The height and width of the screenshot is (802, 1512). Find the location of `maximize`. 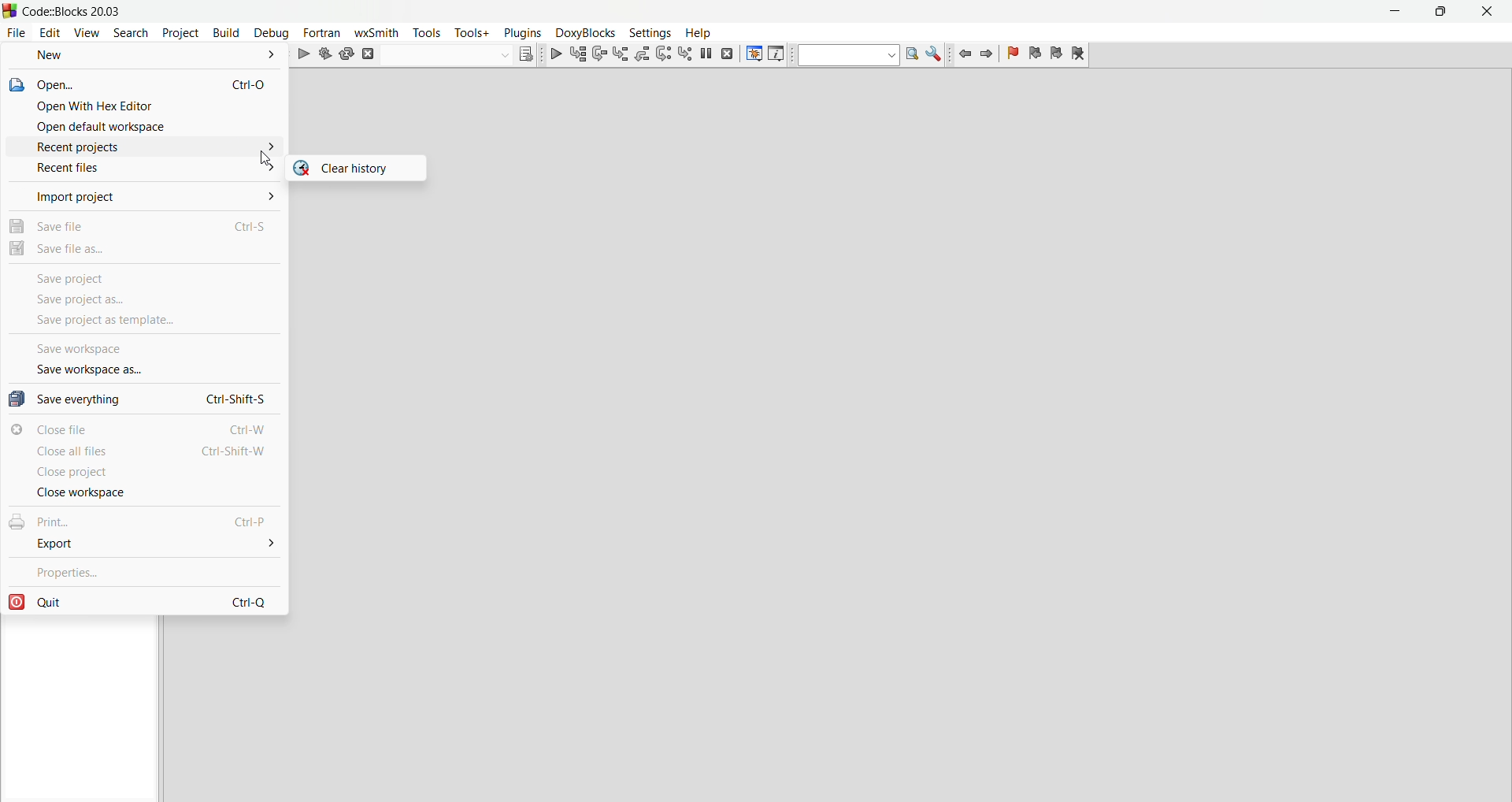

maximize is located at coordinates (1444, 13).